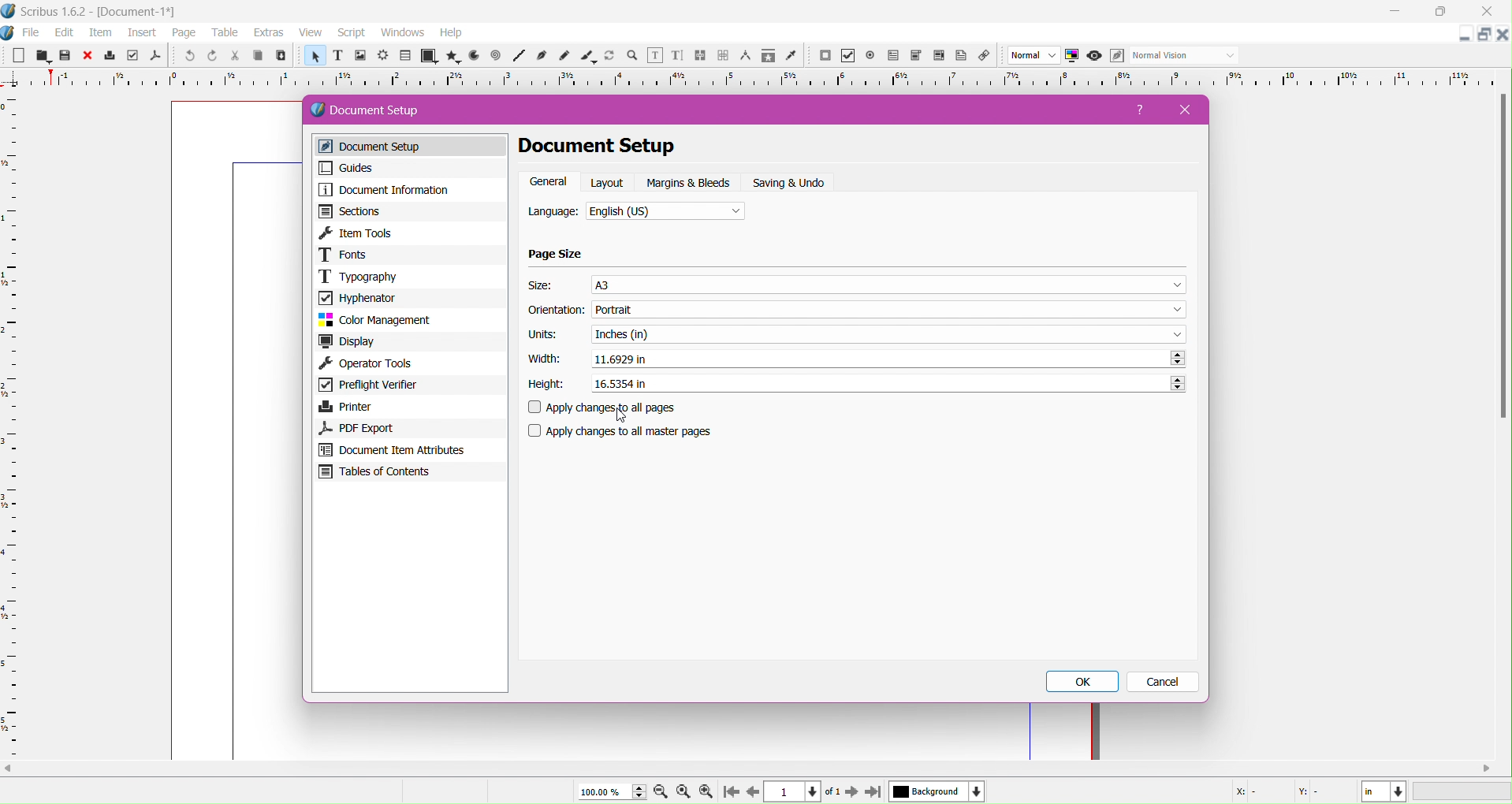  I want to click on Ruler, so click(11, 426).